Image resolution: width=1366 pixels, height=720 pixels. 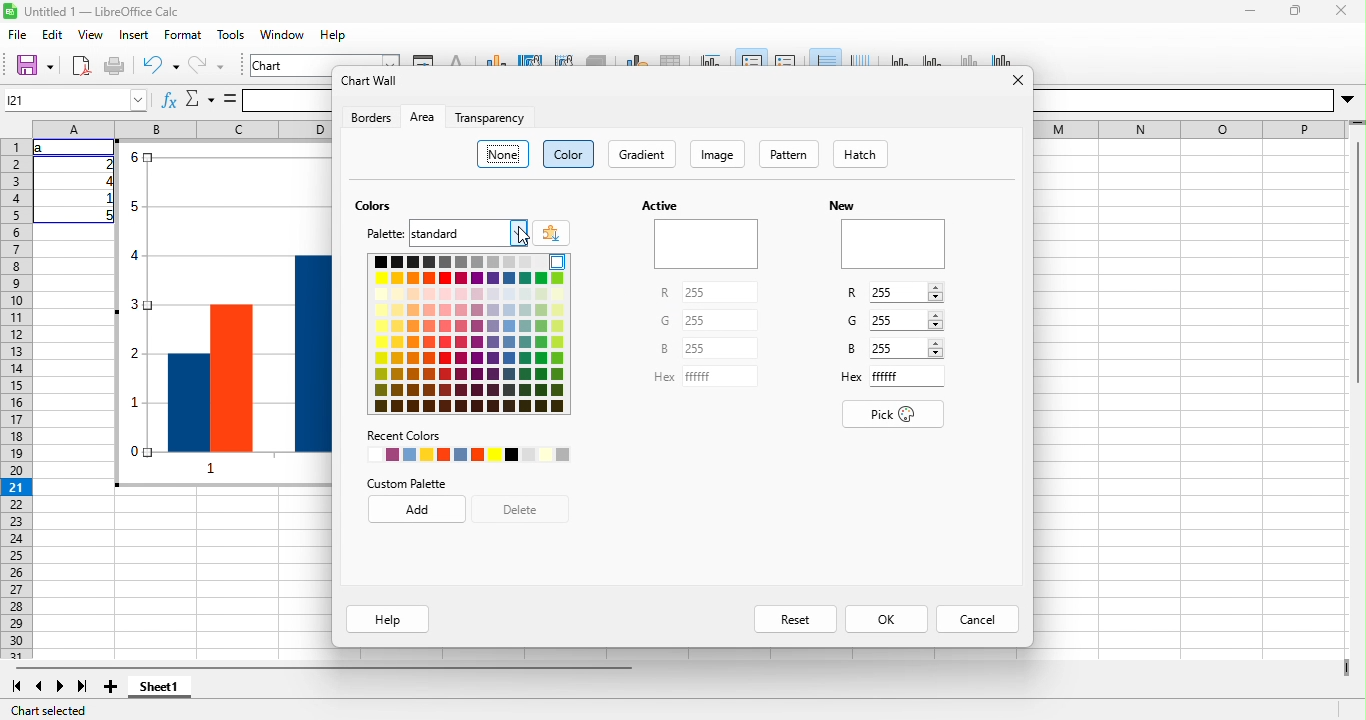 I want to click on Recent Colors, so click(x=404, y=436).